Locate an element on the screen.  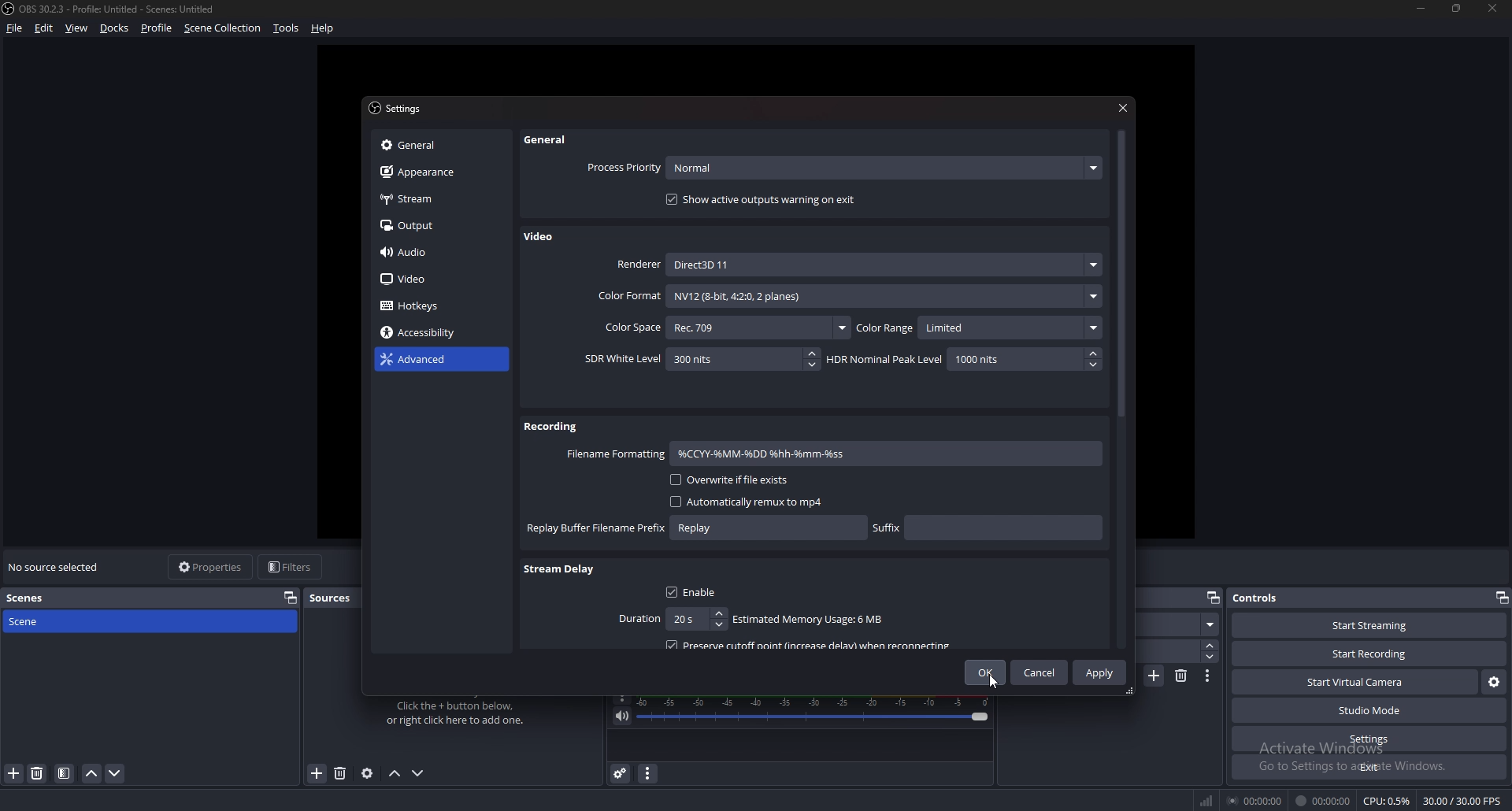
Duration is located at coordinates (669, 619).